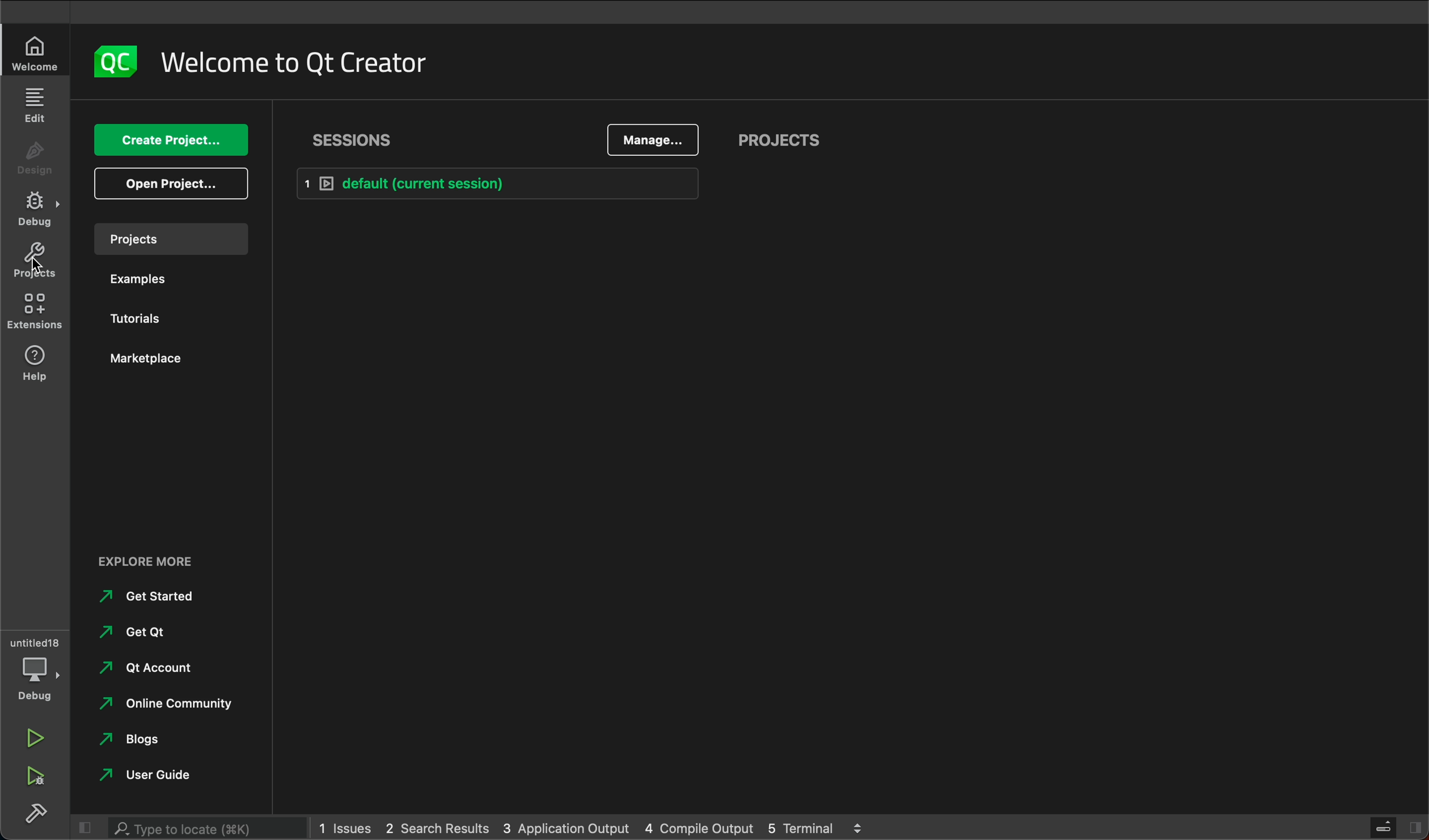 This screenshot has width=1429, height=840. Describe the element at coordinates (35, 50) in the screenshot. I see `welcome` at that location.